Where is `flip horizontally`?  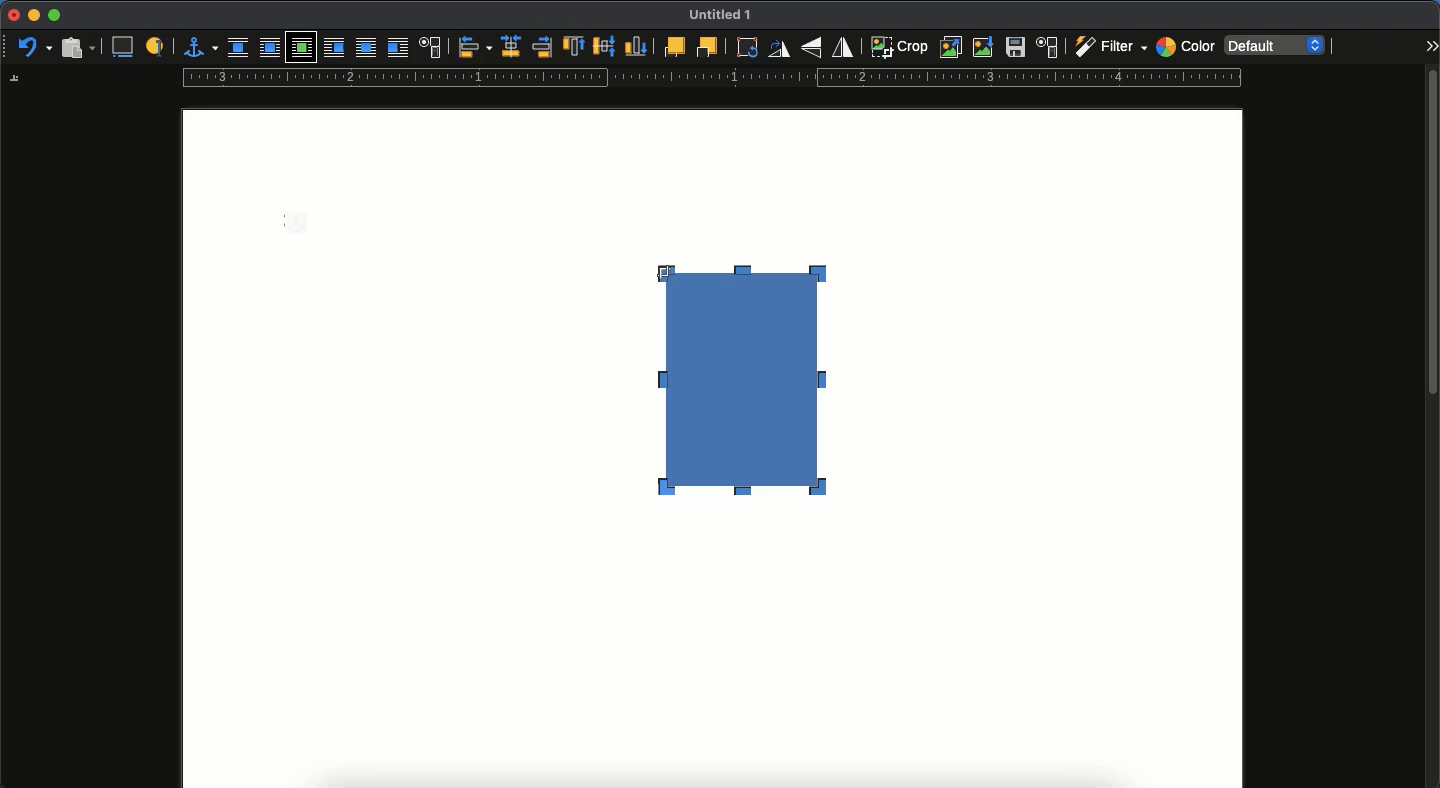 flip horizontally is located at coordinates (844, 46).